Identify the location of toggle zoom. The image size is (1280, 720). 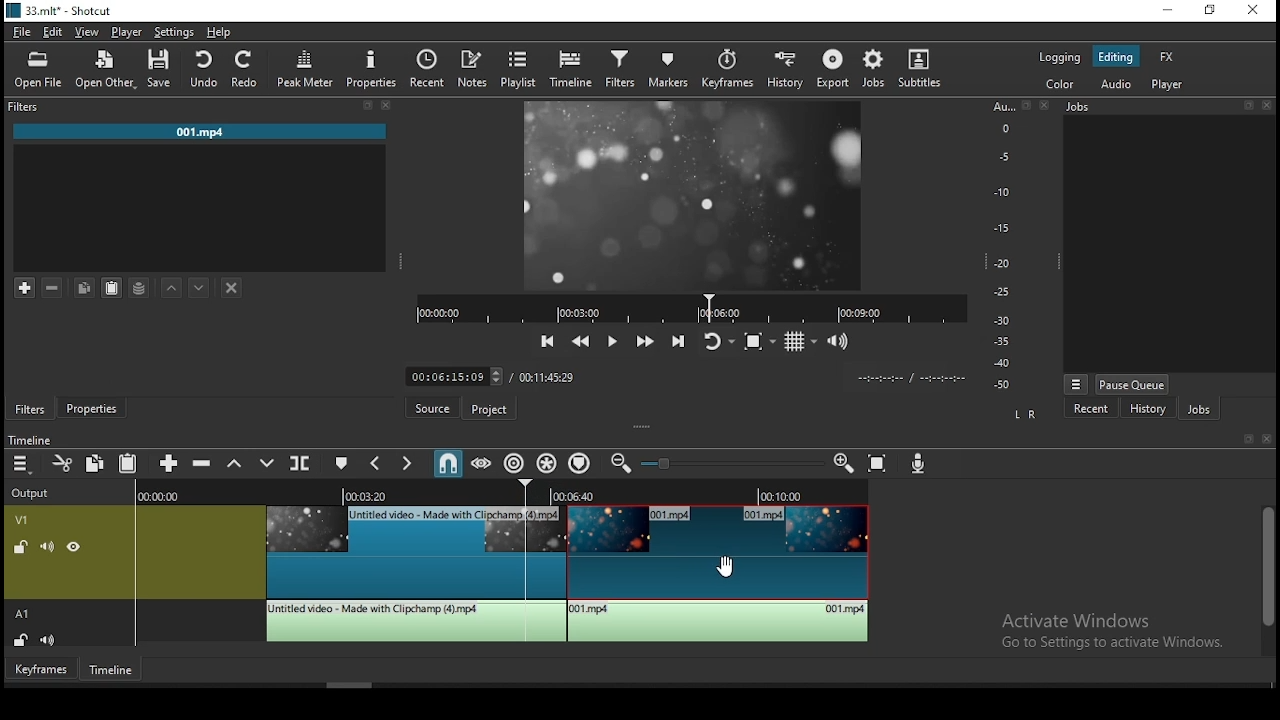
(757, 339).